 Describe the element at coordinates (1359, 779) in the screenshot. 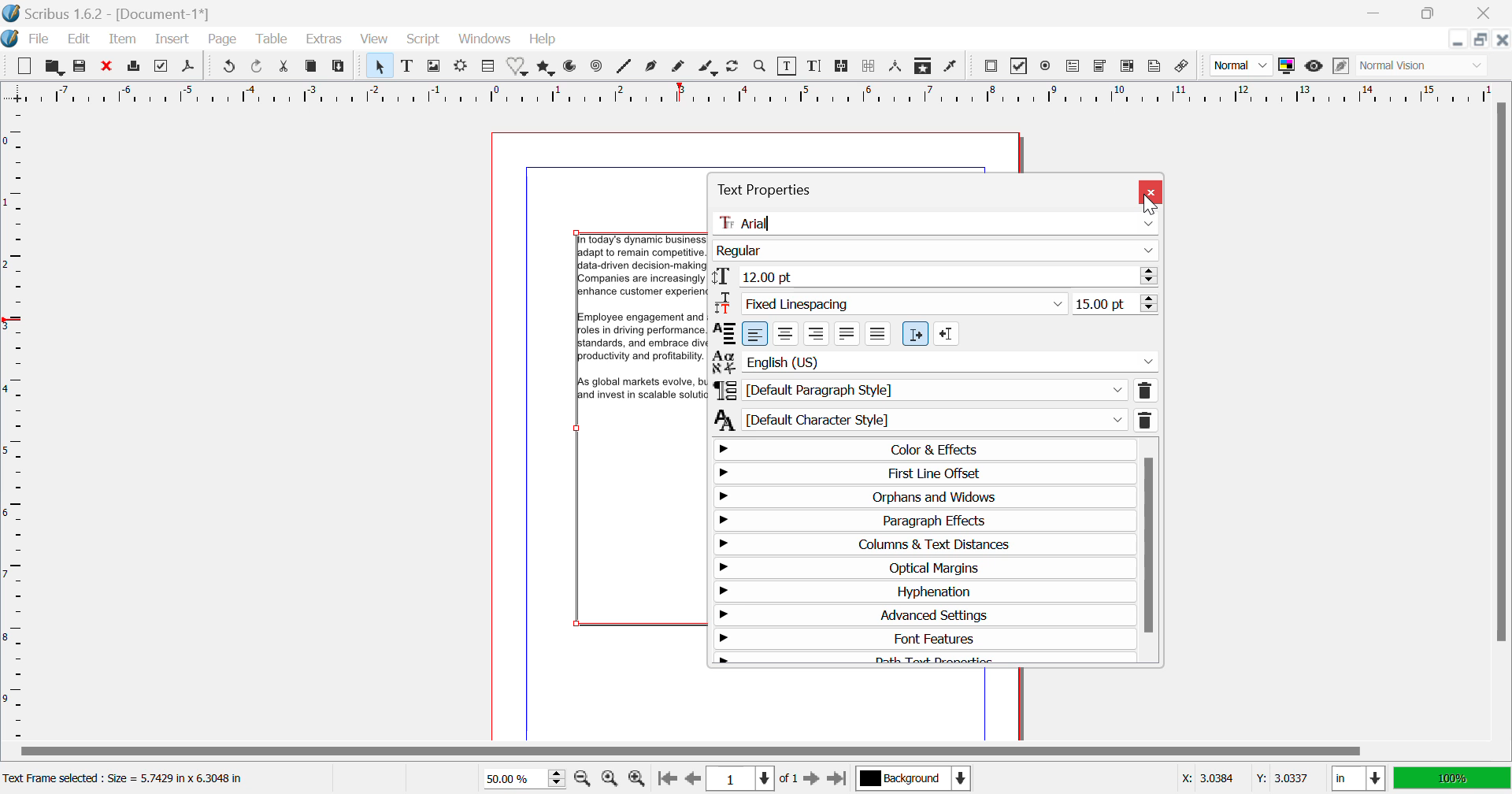

I see `Meausrement Units` at that location.